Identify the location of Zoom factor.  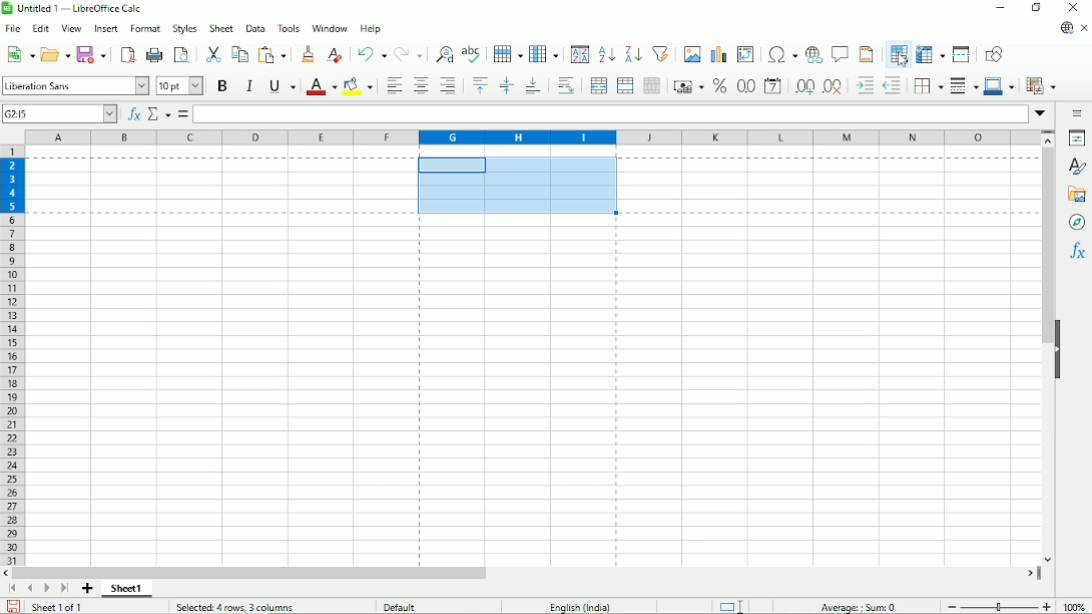
(1077, 607).